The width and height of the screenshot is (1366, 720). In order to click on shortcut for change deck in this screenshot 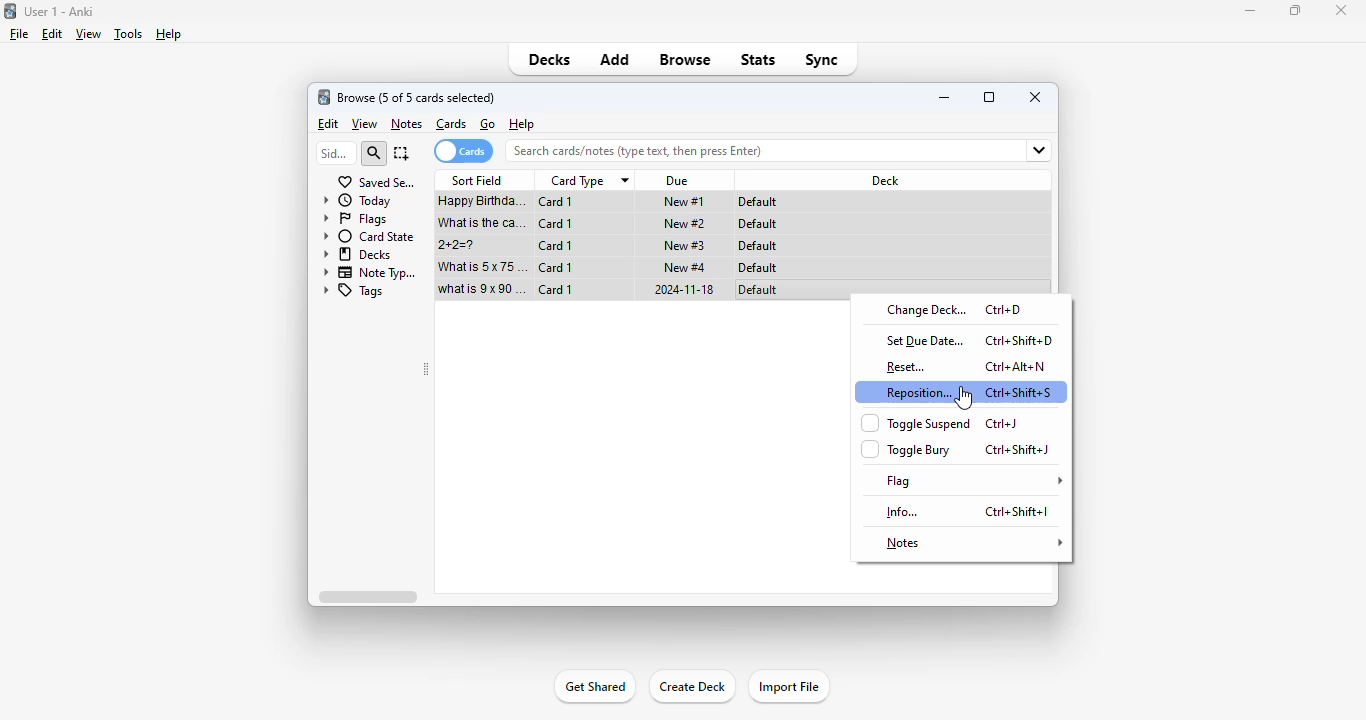, I will do `click(1002, 309)`.